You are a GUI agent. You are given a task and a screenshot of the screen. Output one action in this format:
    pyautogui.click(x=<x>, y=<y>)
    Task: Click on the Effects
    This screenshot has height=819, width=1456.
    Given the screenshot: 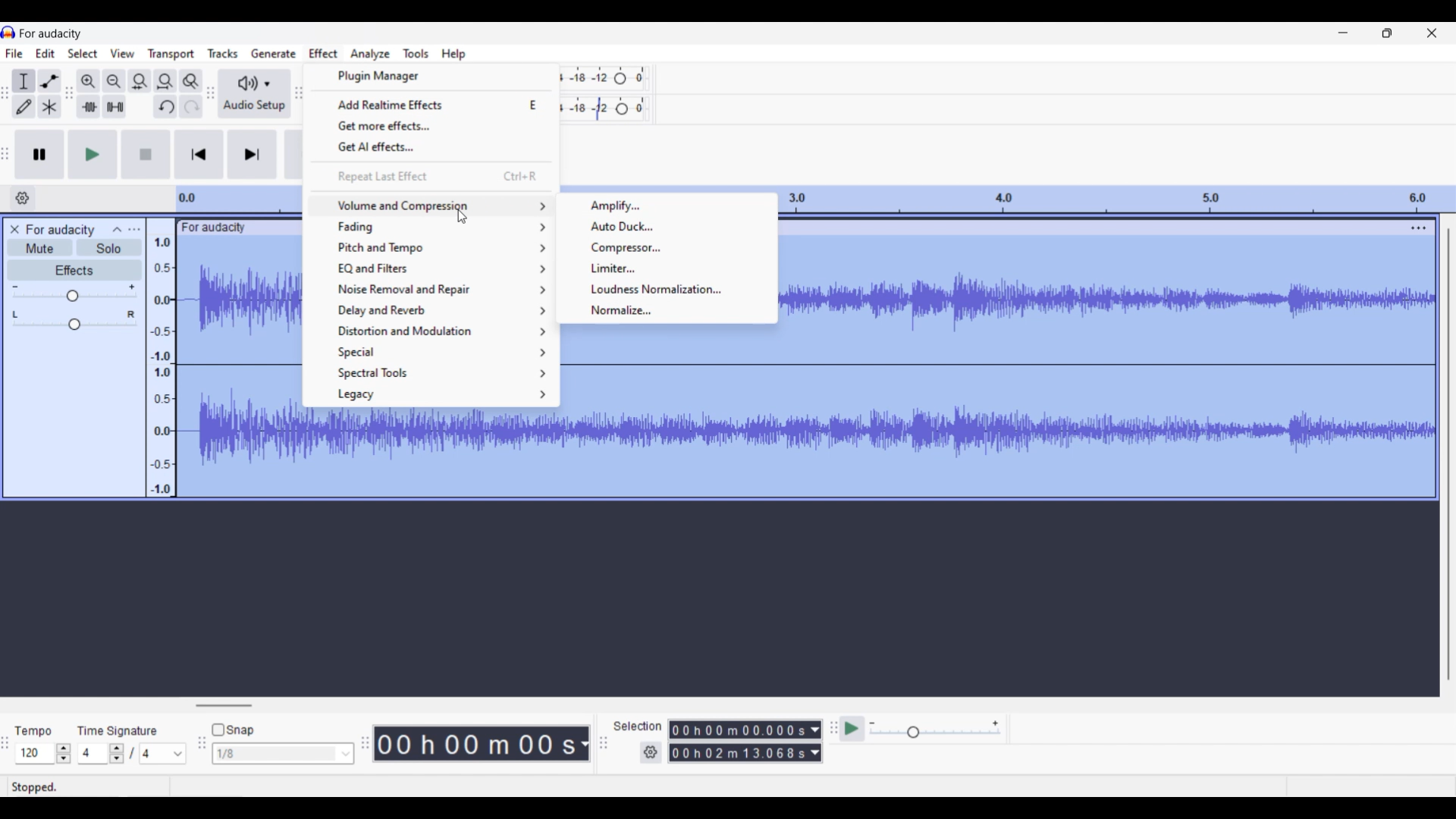 What is the action you would take?
    pyautogui.click(x=53, y=270)
    